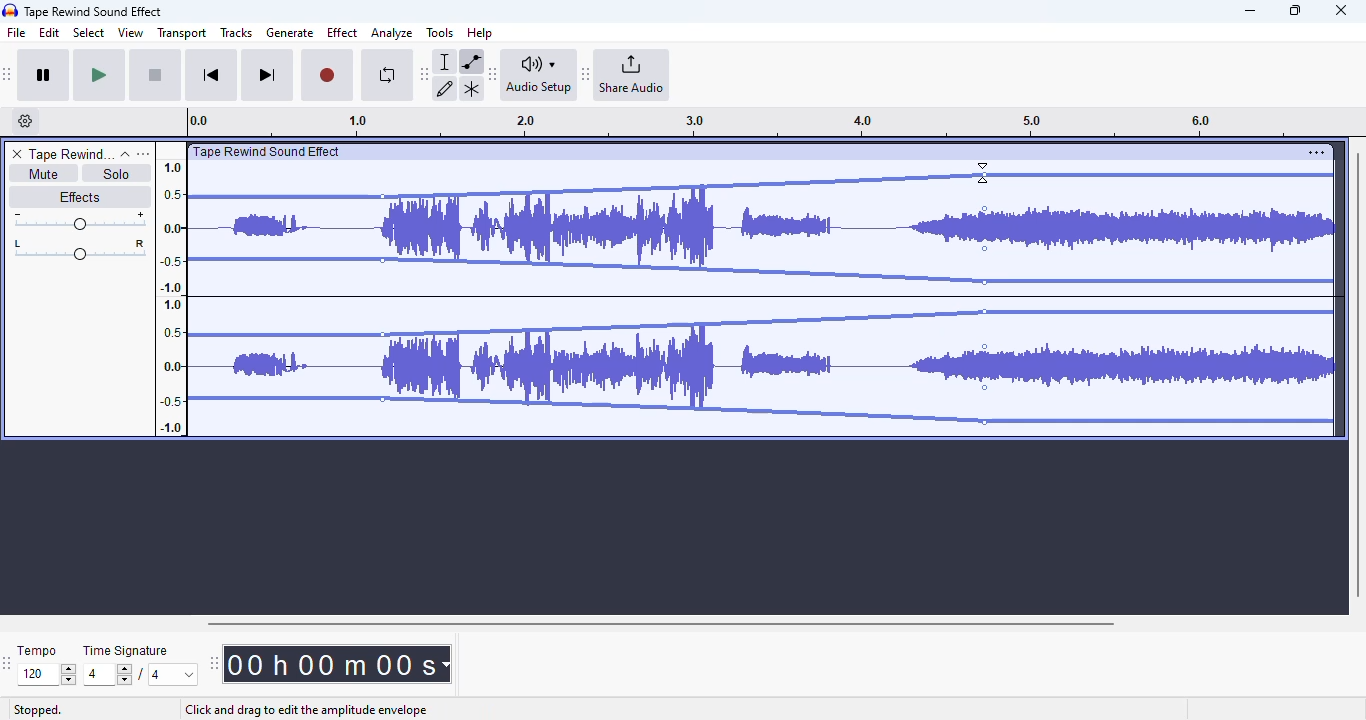 This screenshot has height=720, width=1366. Describe the element at coordinates (38, 711) in the screenshot. I see `stopped` at that location.